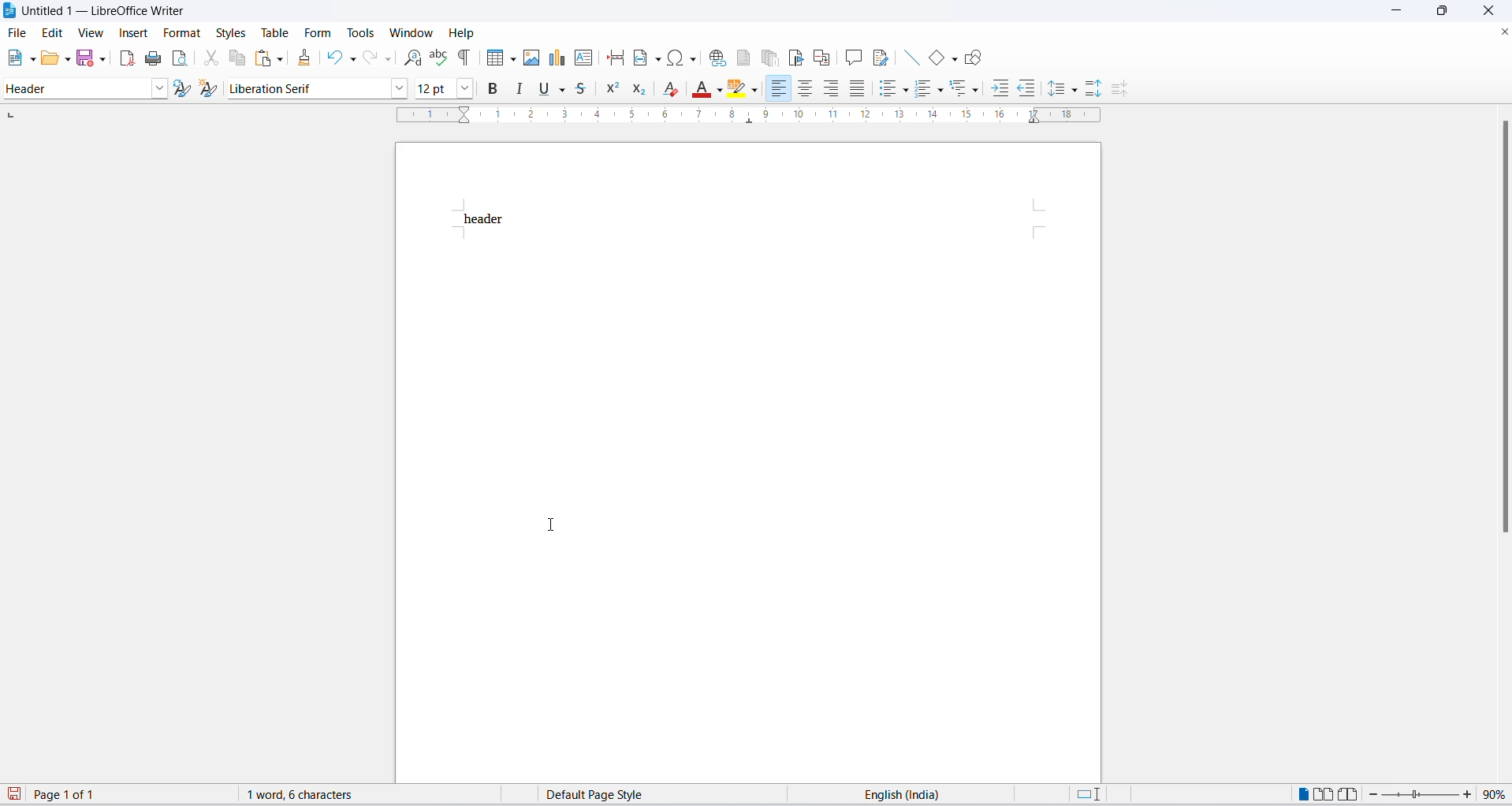 The image size is (1512, 806). What do you see at coordinates (410, 58) in the screenshot?
I see `find and replace` at bounding box center [410, 58].